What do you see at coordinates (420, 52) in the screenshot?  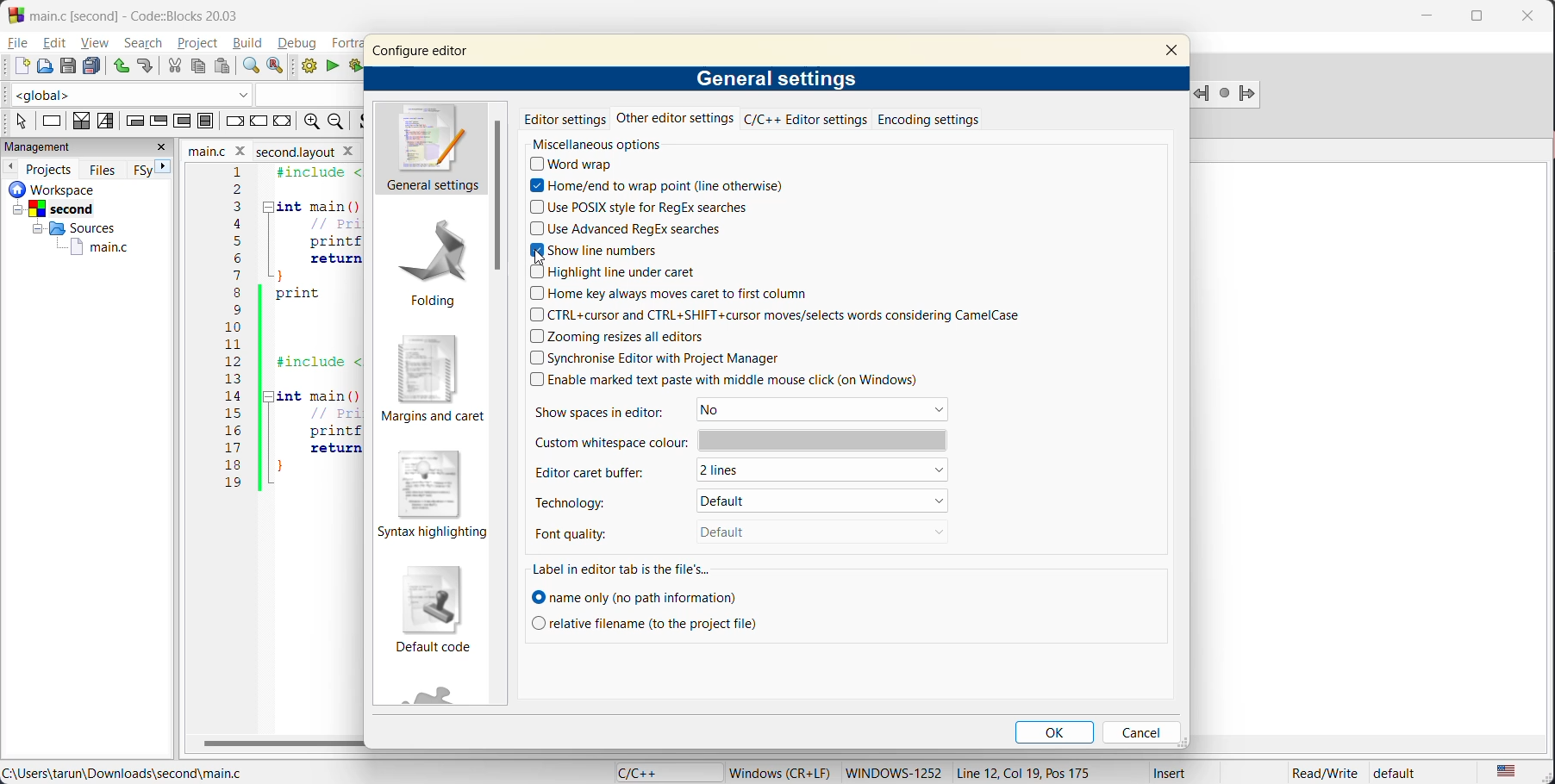 I see `configure editor` at bounding box center [420, 52].